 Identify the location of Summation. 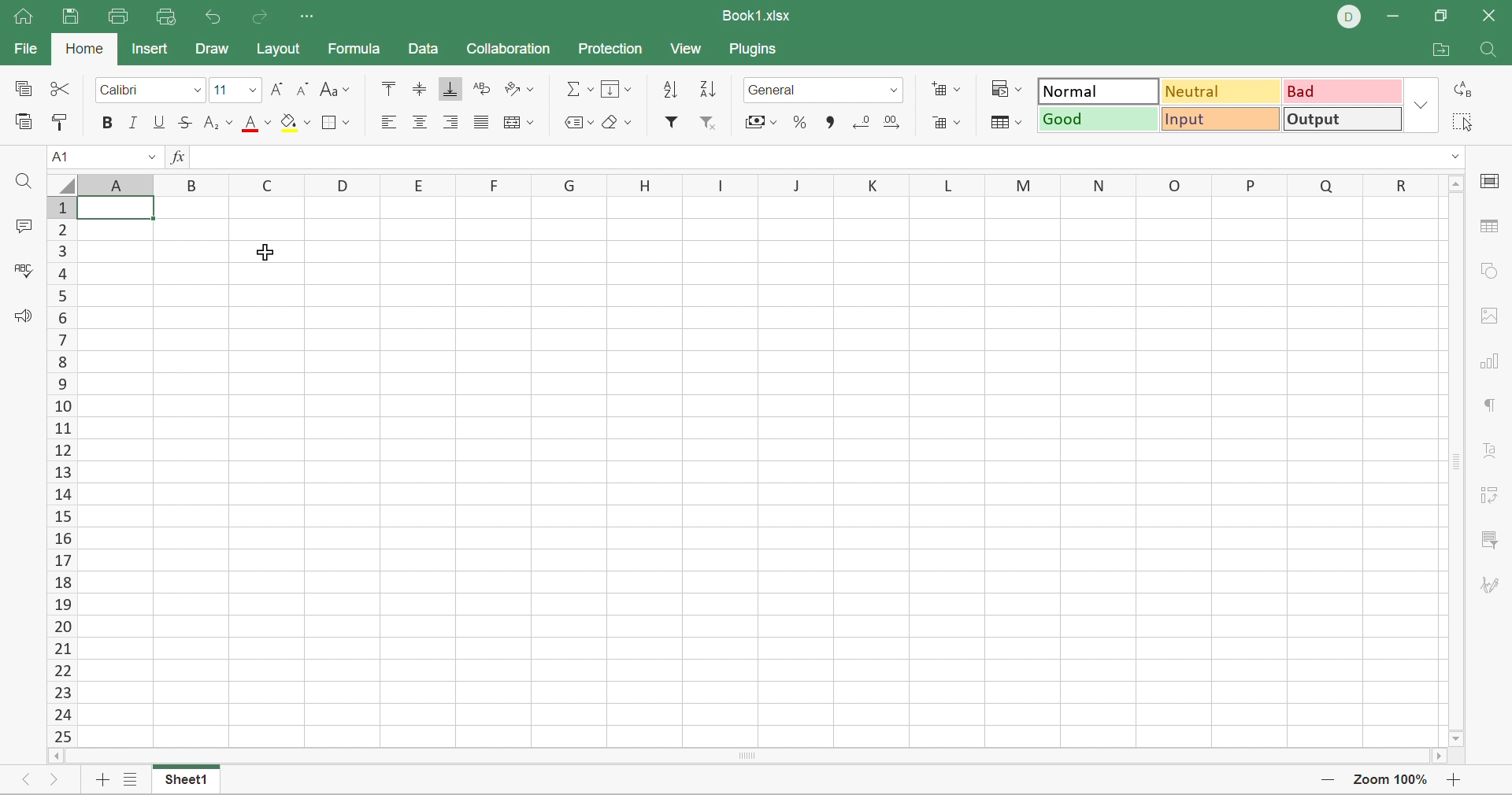
(576, 87).